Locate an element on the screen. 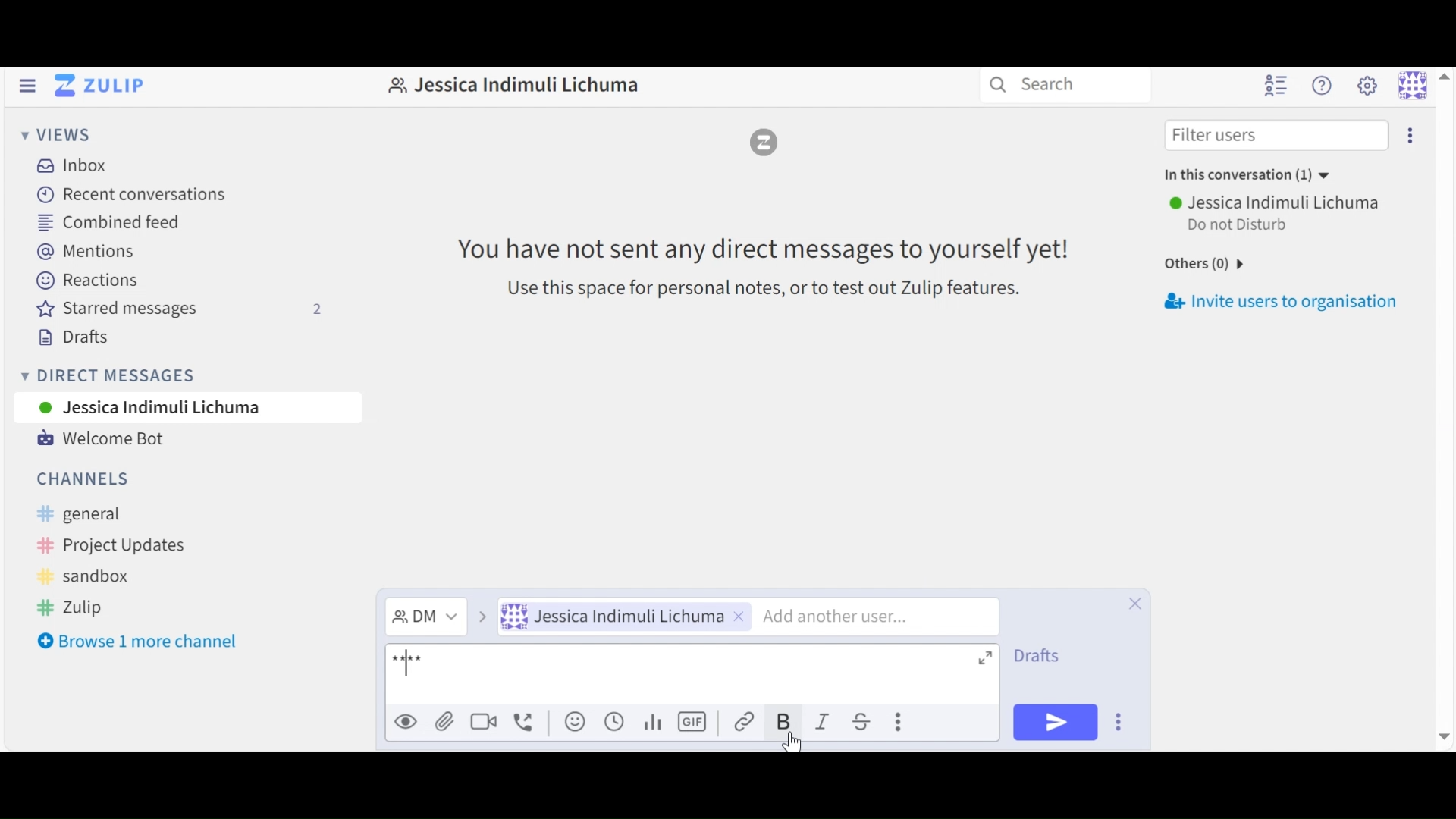  Send is located at coordinates (1055, 721).